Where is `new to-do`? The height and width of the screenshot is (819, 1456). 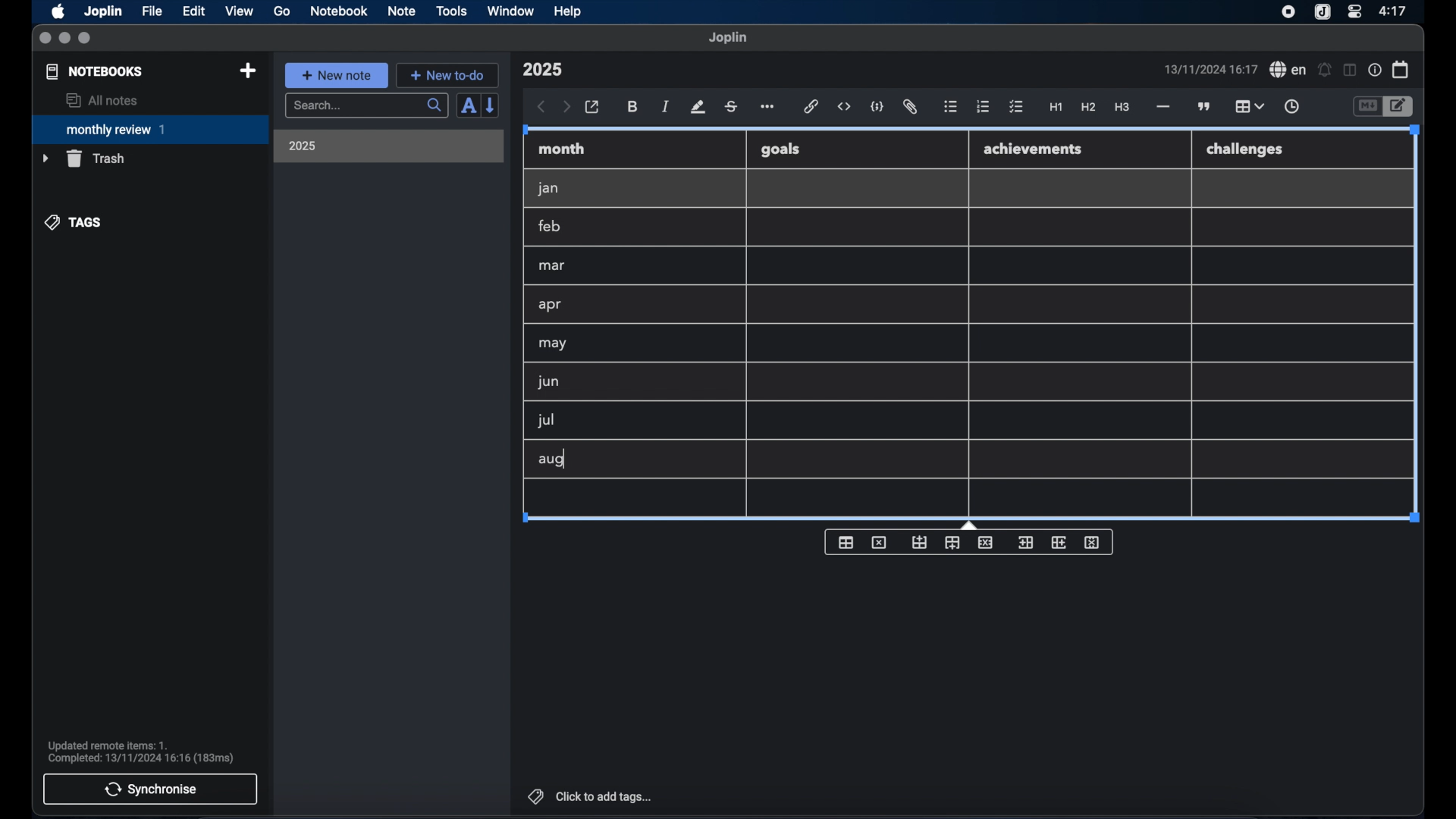 new to-do is located at coordinates (448, 75).